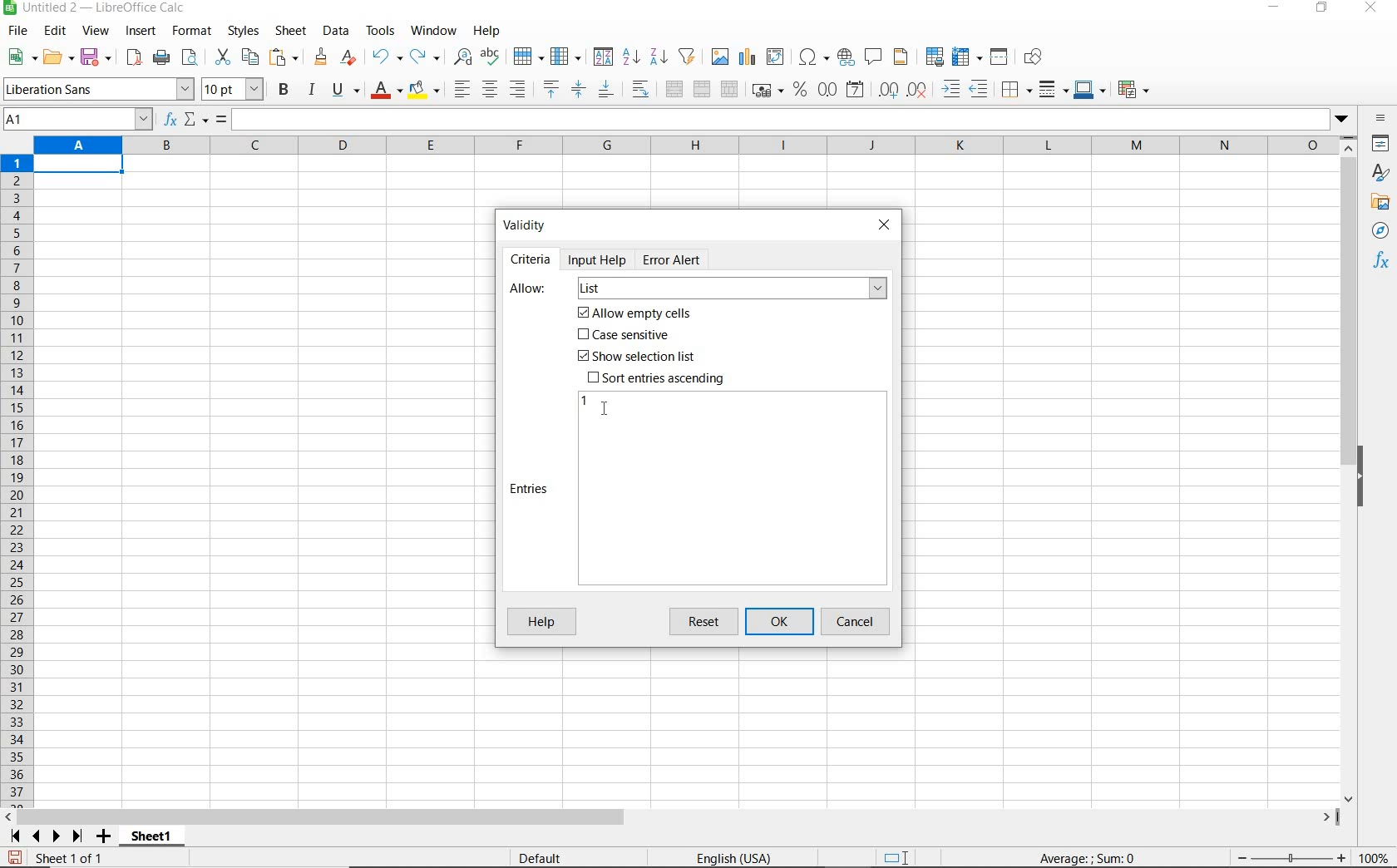 This screenshot has width=1397, height=868. What do you see at coordinates (386, 57) in the screenshot?
I see `undo` at bounding box center [386, 57].